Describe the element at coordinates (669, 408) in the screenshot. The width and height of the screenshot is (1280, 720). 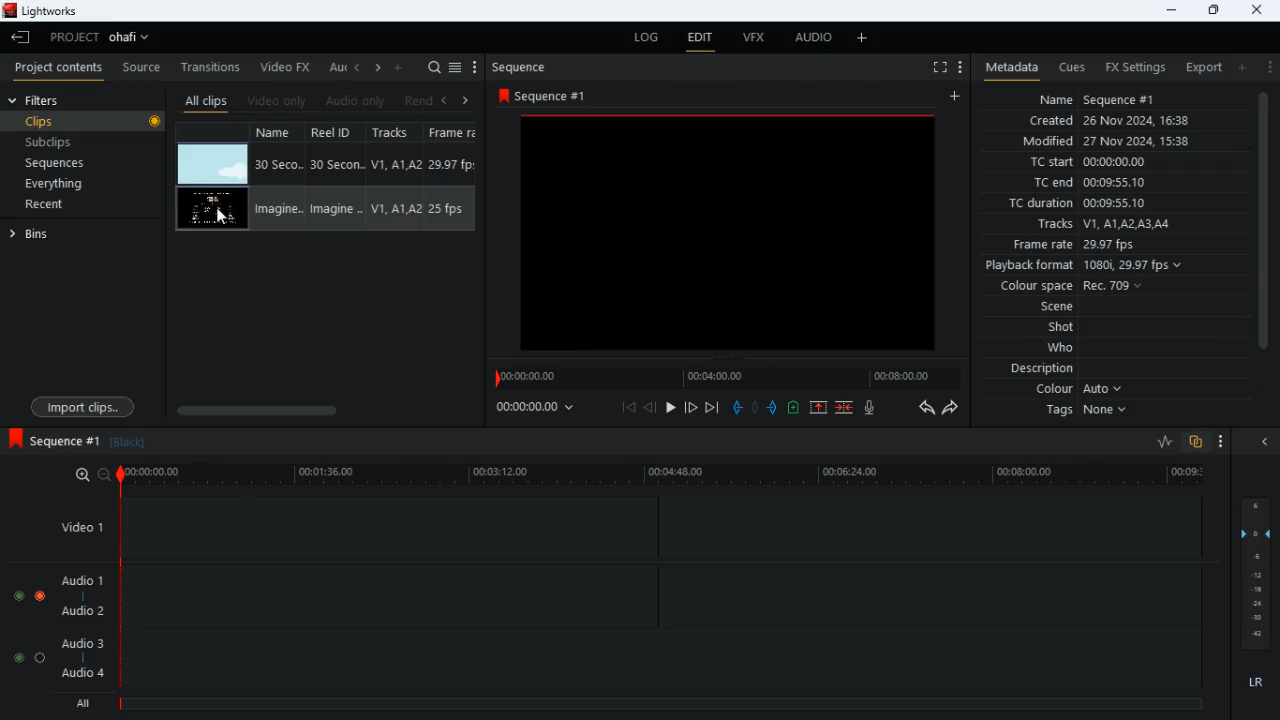
I see `play` at that location.